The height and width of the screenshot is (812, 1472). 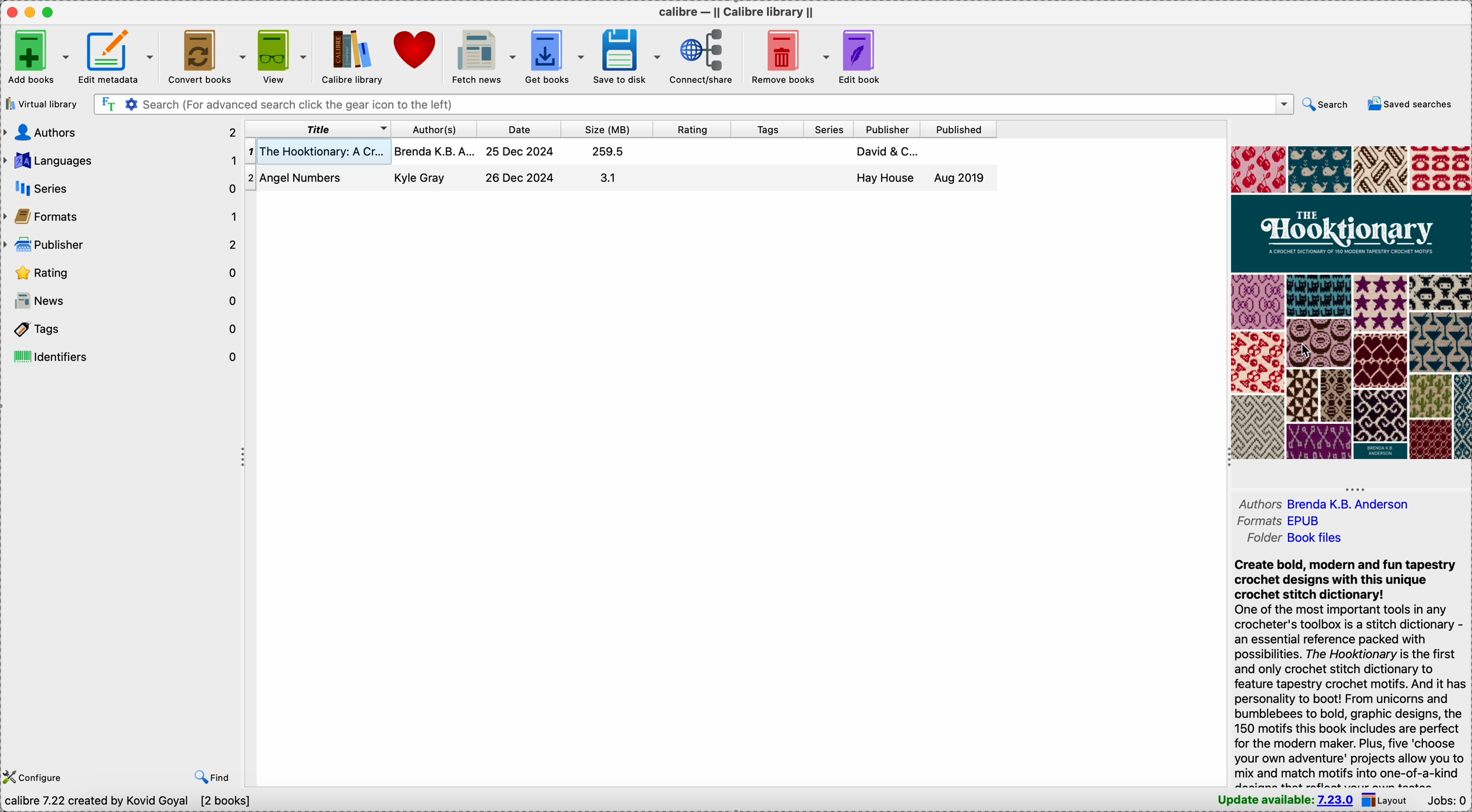 I want to click on edit book, so click(x=865, y=58).